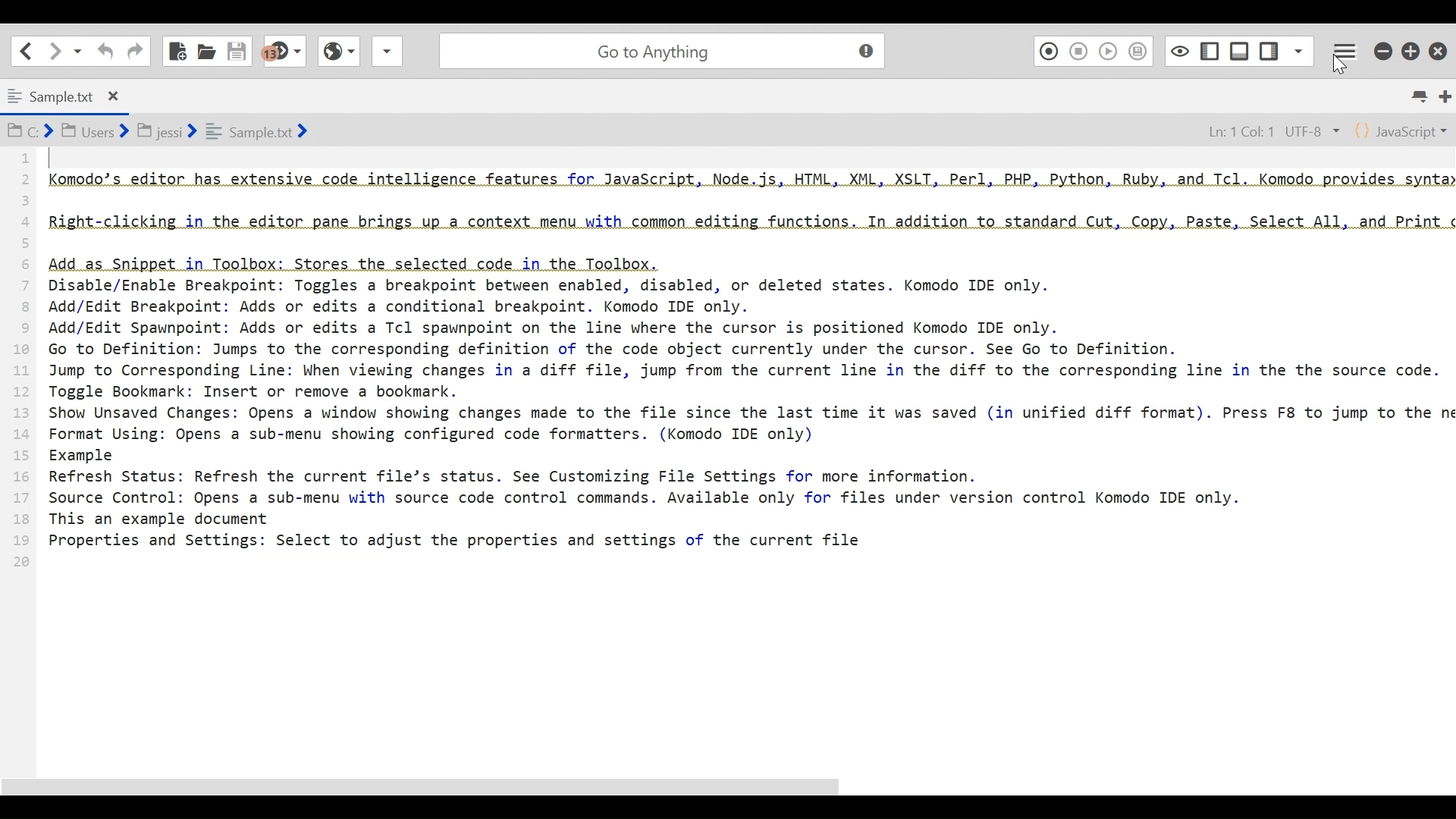 Image resolution: width=1456 pixels, height=819 pixels. Describe the element at coordinates (1263, 129) in the screenshot. I see `File Position` at that location.